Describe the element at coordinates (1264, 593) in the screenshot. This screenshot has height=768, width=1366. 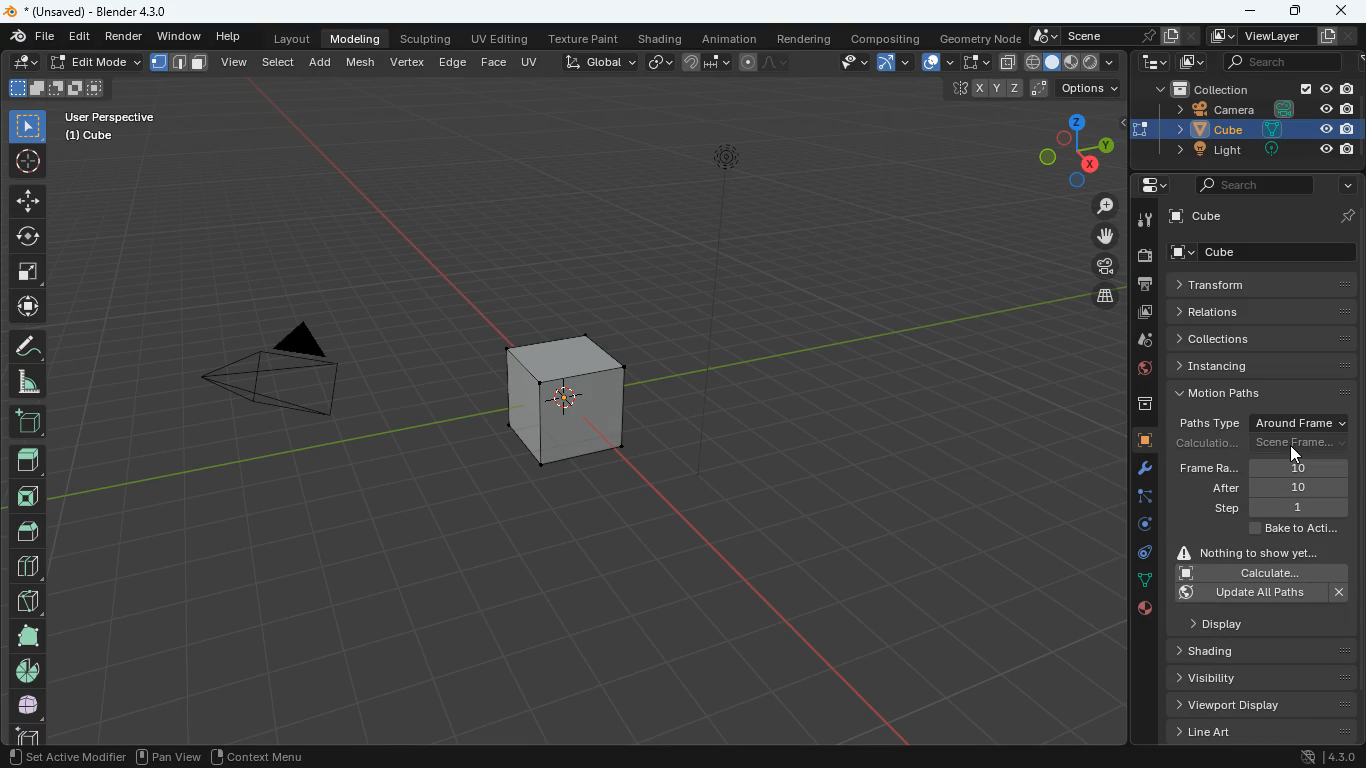
I see `update` at that location.